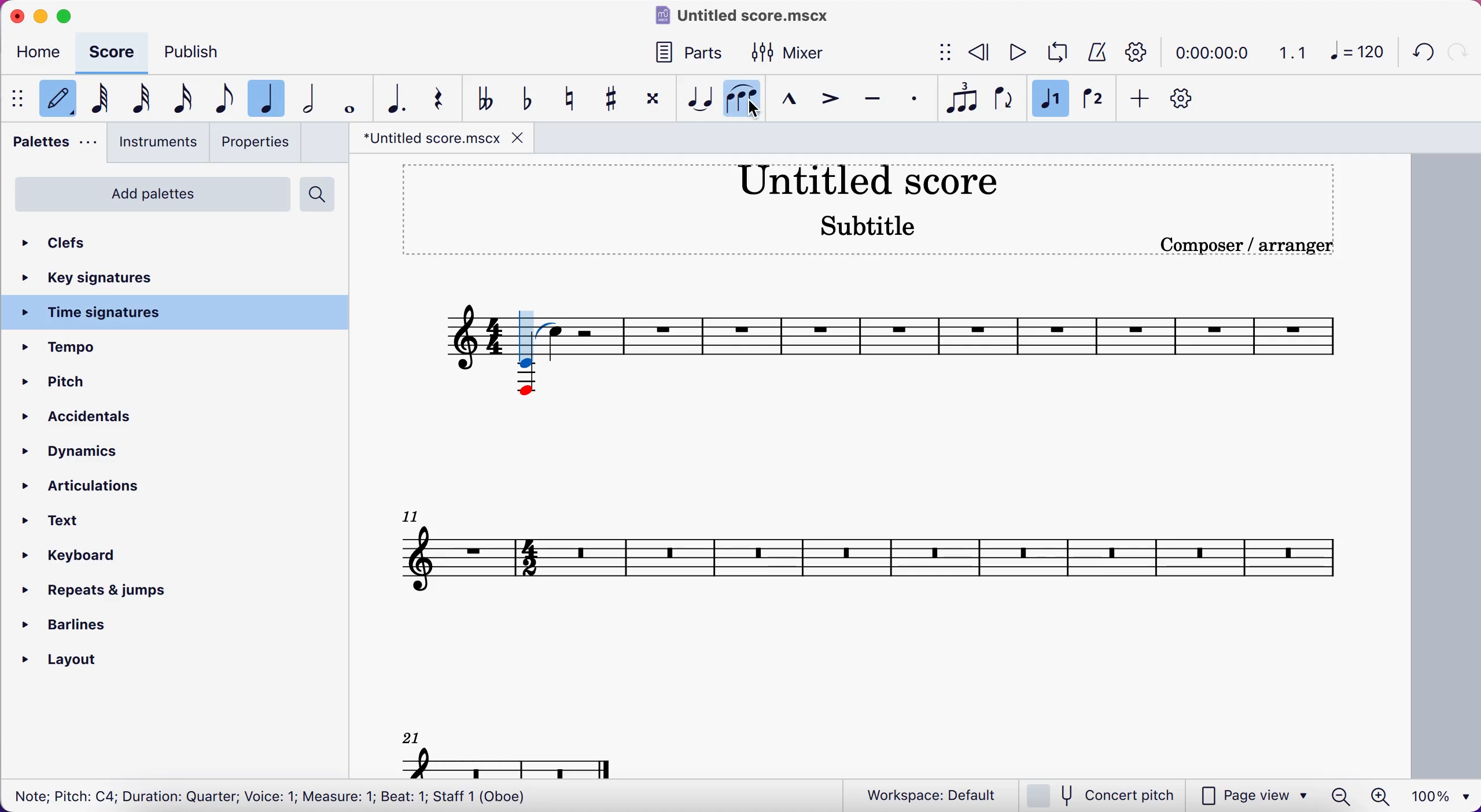 This screenshot has width=1481, height=812. Describe the element at coordinates (84, 628) in the screenshot. I see `barlines` at that location.